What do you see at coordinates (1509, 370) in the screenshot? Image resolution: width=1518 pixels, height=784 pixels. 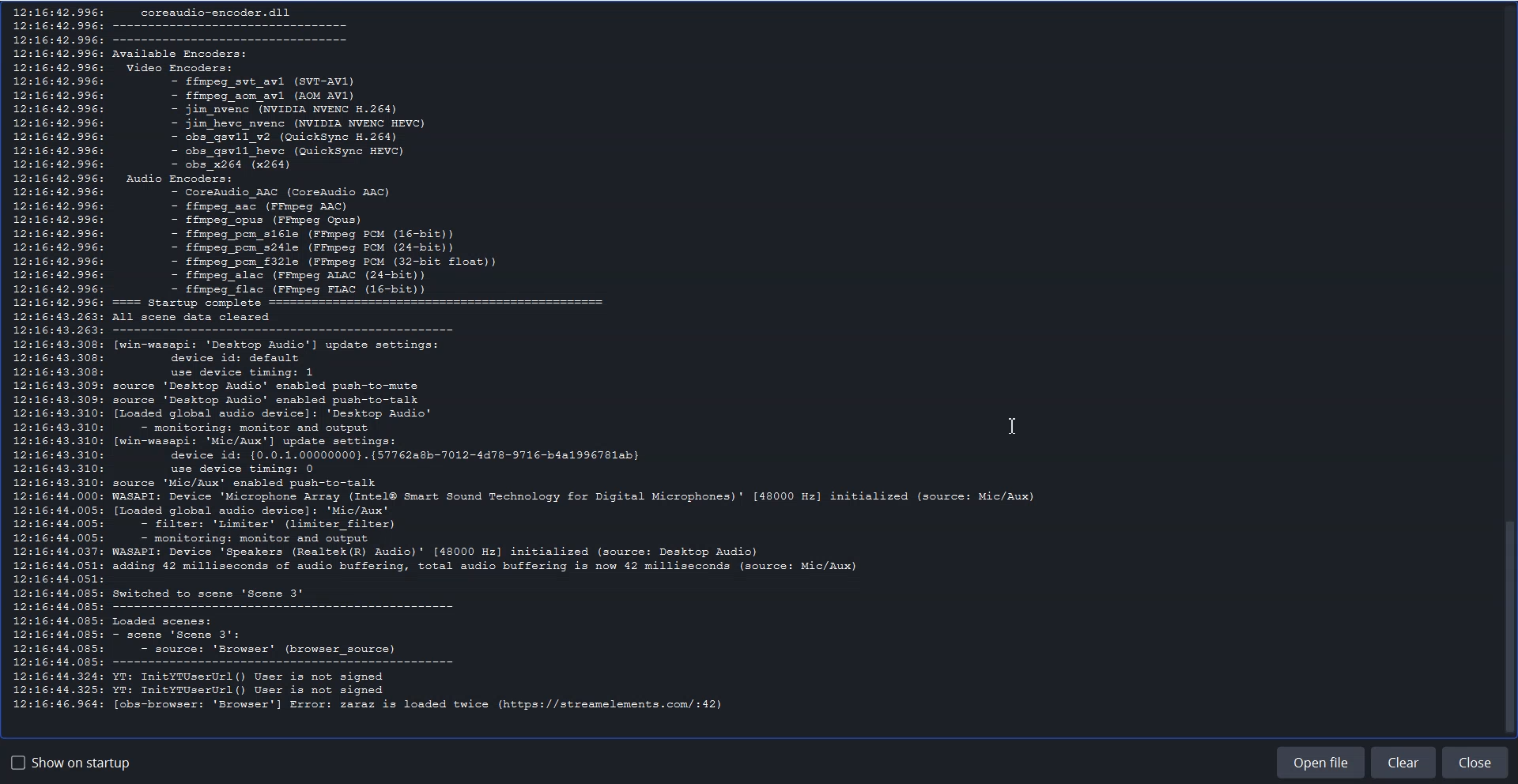 I see `Vertical scrollbar` at bounding box center [1509, 370].